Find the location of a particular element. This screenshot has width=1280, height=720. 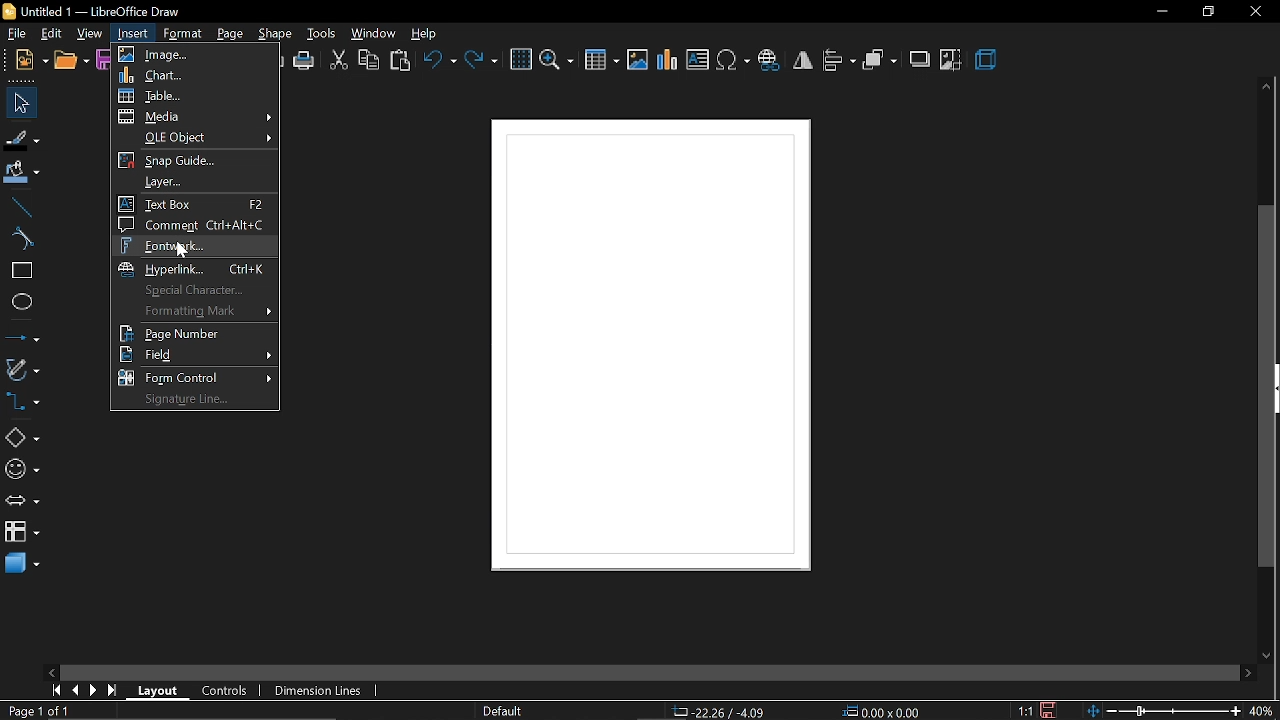

lines and arrow is located at coordinates (22, 337).